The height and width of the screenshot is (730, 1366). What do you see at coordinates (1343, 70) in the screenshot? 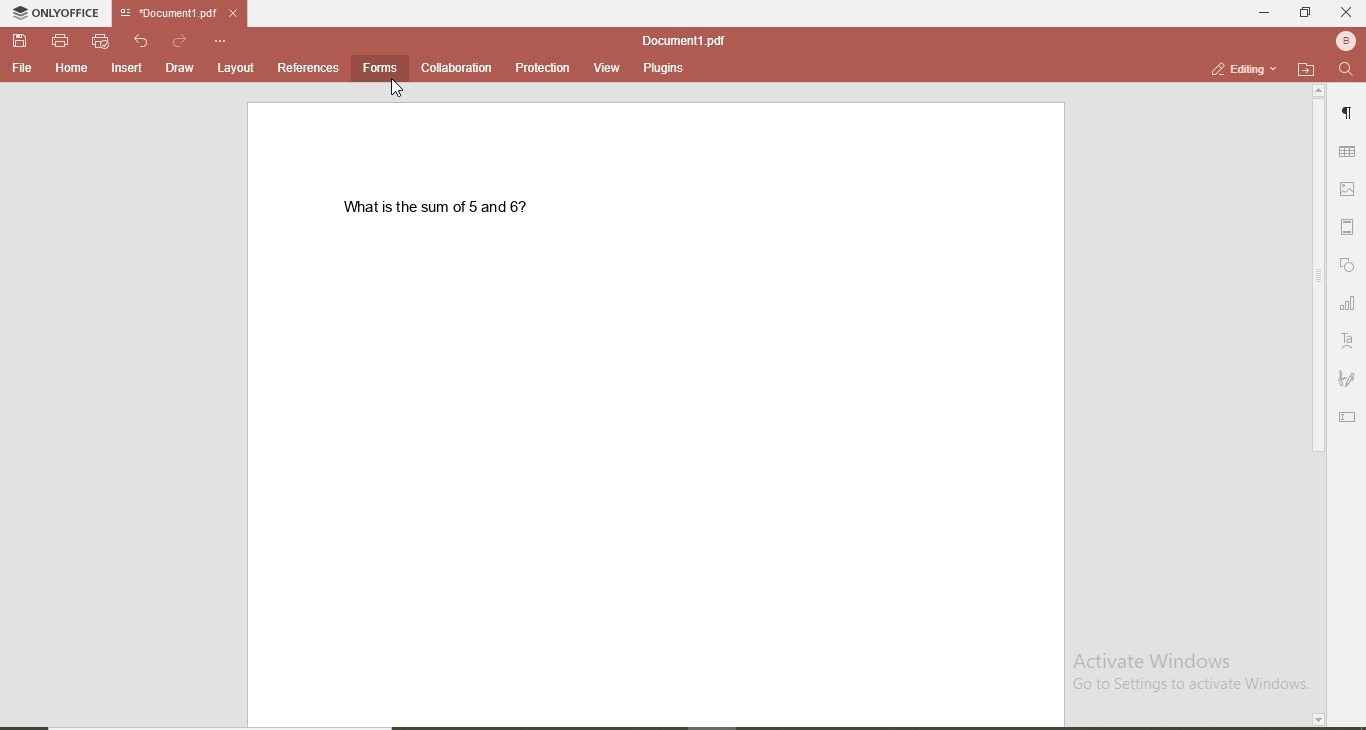
I see `search` at bounding box center [1343, 70].